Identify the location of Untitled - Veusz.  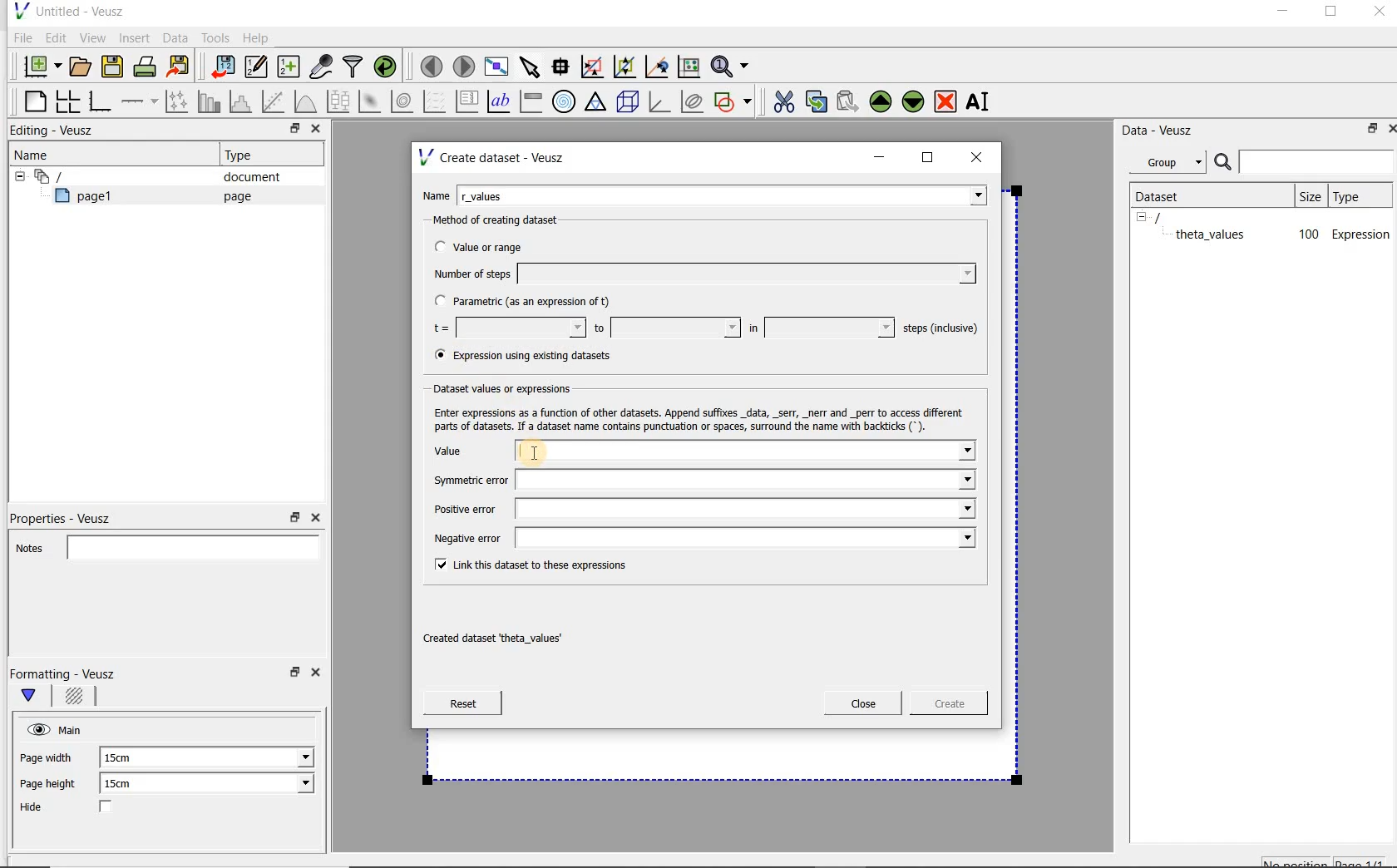
(67, 10).